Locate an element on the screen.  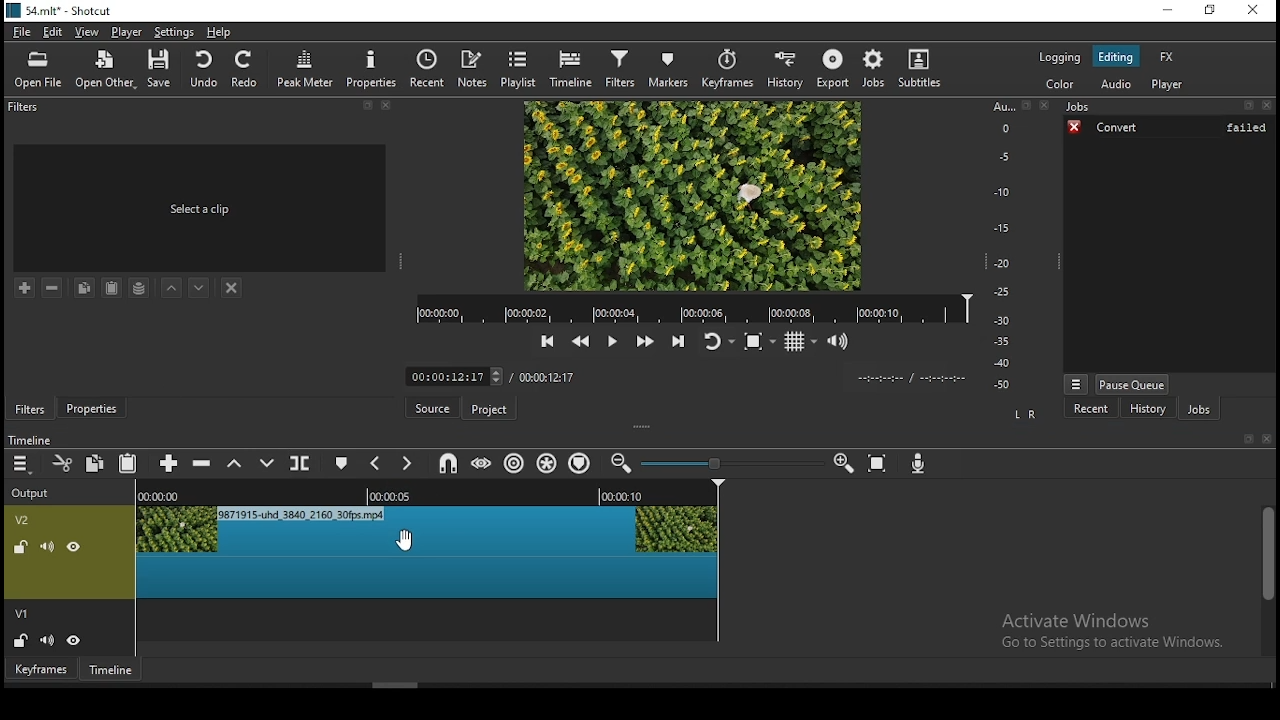
play quickly forwards is located at coordinates (643, 343).